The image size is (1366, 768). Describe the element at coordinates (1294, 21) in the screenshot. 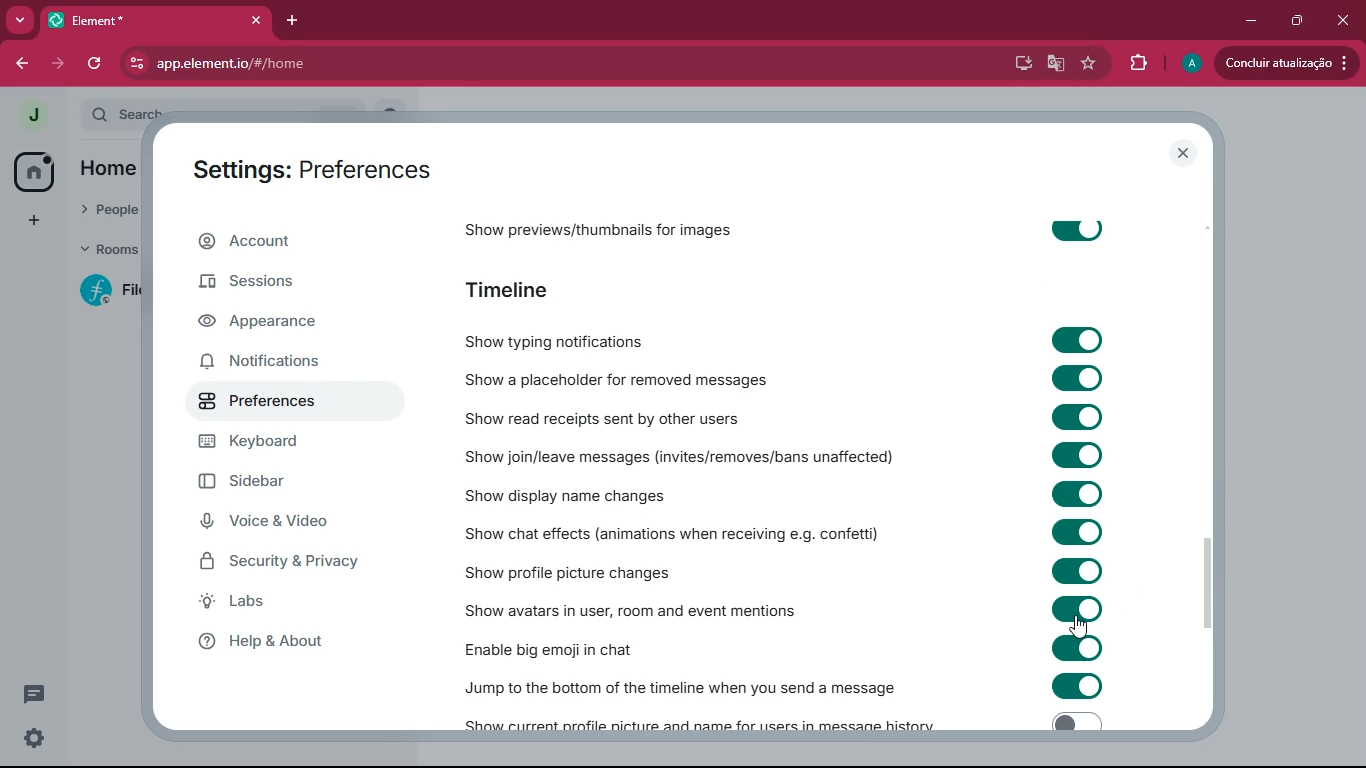

I see `restore down` at that location.